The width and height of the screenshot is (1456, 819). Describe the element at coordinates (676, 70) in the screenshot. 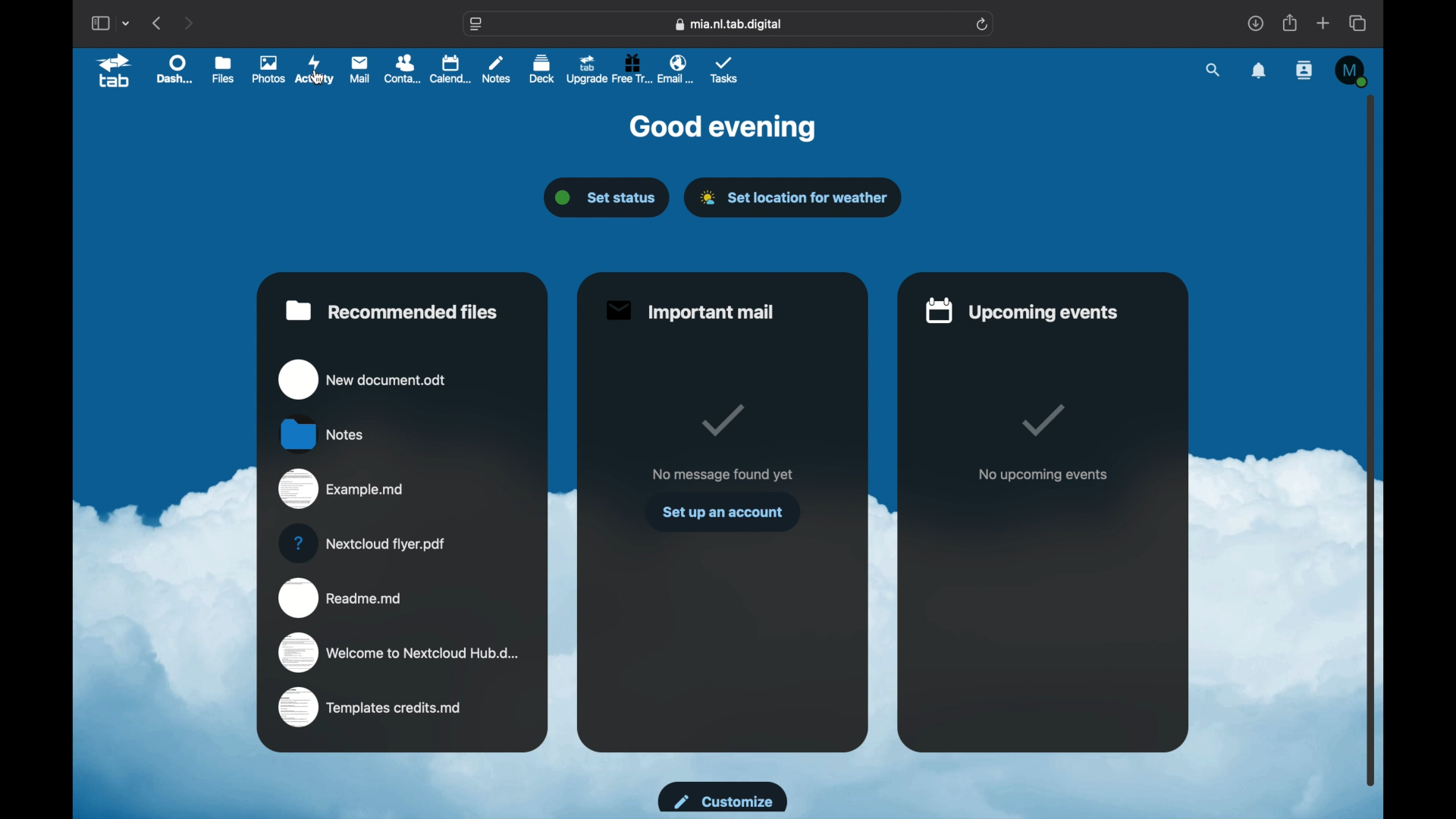

I see `email` at that location.